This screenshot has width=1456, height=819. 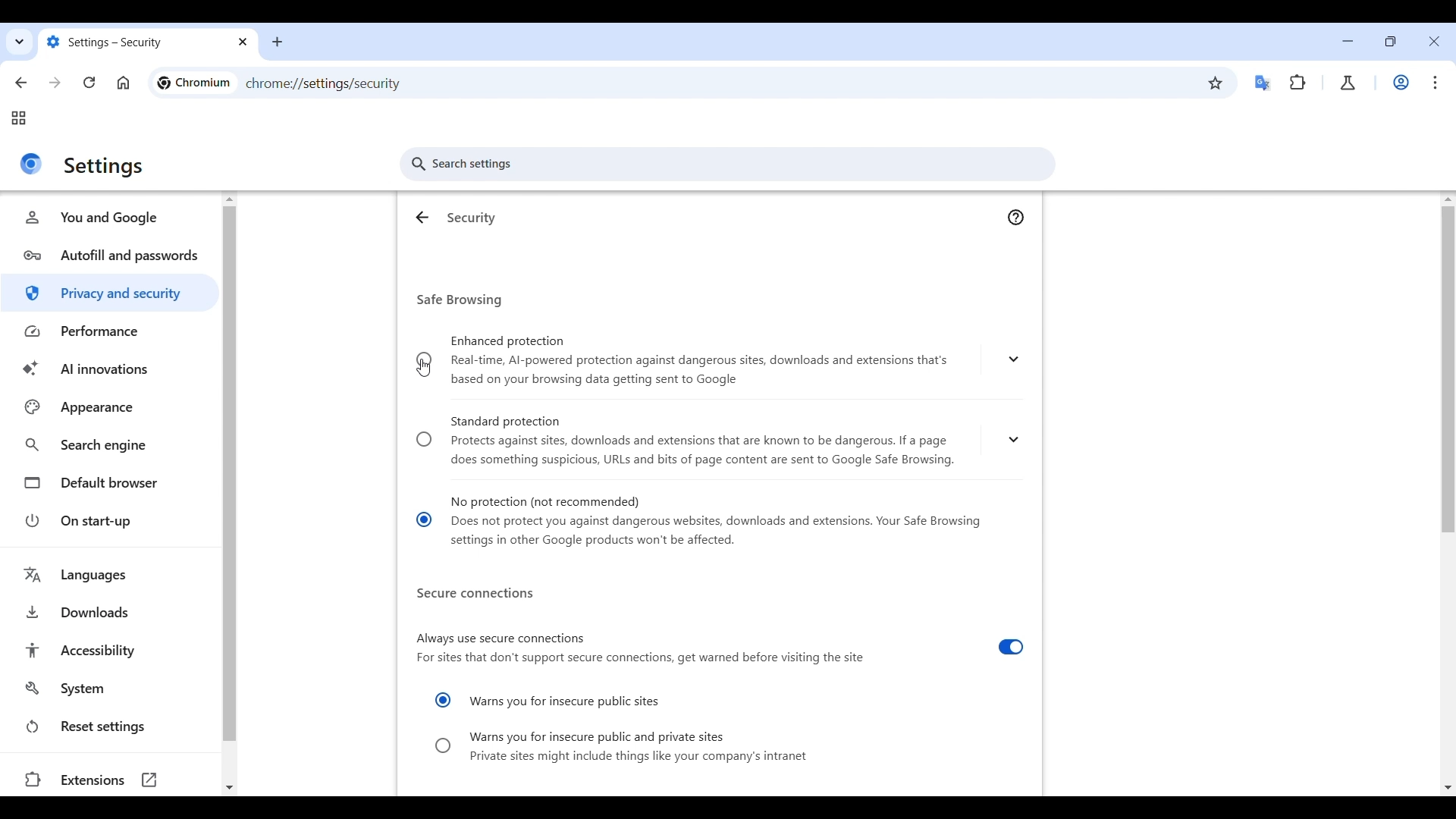 I want to click on Go back, so click(x=22, y=83).